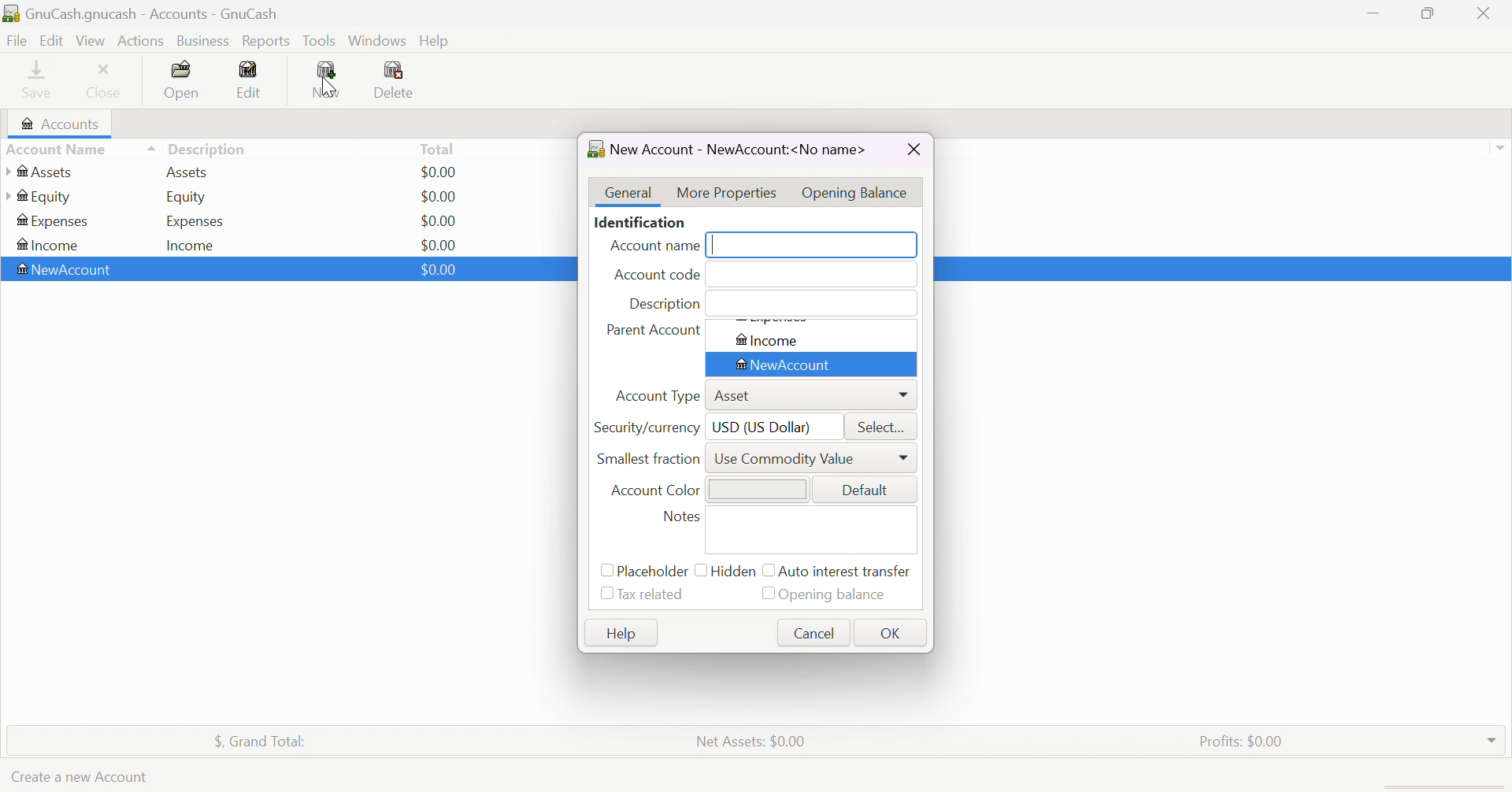 This screenshot has width=1512, height=792. Describe the element at coordinates (330, 82) in the screenshot. I see `New` at that location.